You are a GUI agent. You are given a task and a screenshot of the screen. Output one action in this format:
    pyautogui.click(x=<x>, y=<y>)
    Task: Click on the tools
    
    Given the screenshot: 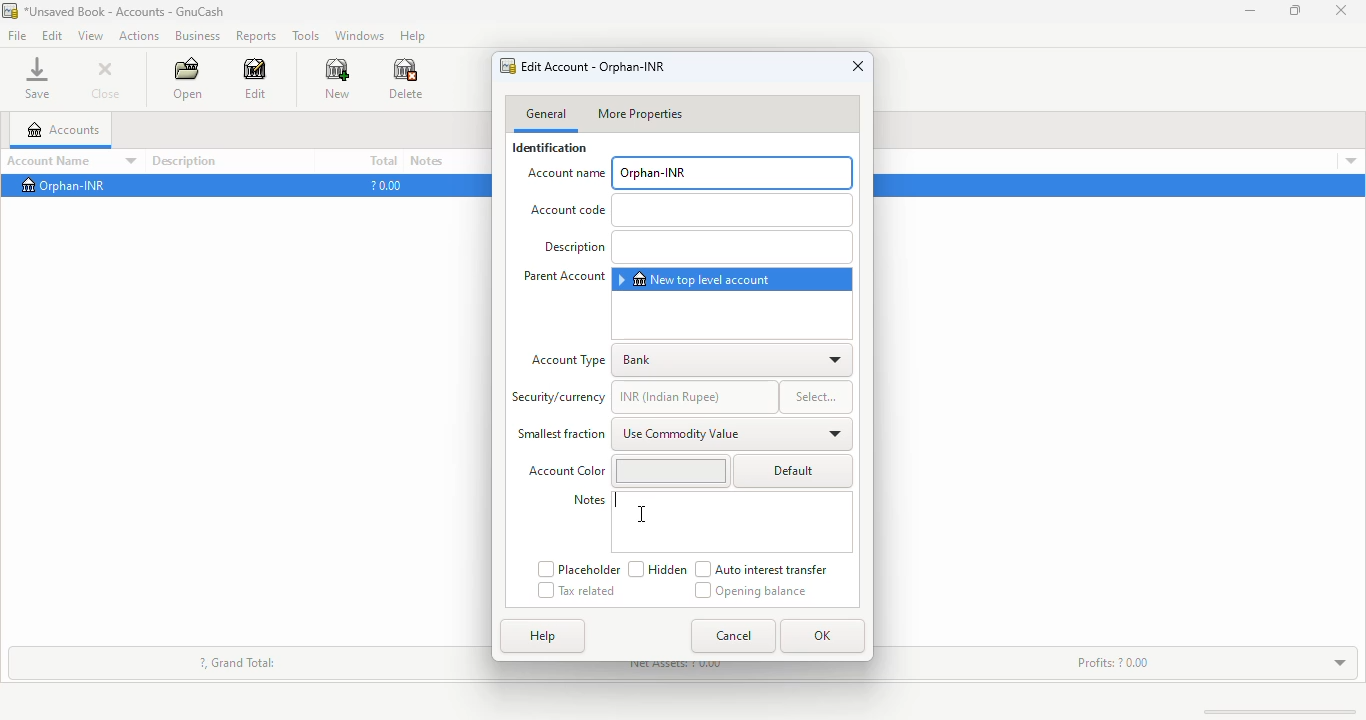 What is the action you would take?
    pyautogui.click(x=306, y=37)
    